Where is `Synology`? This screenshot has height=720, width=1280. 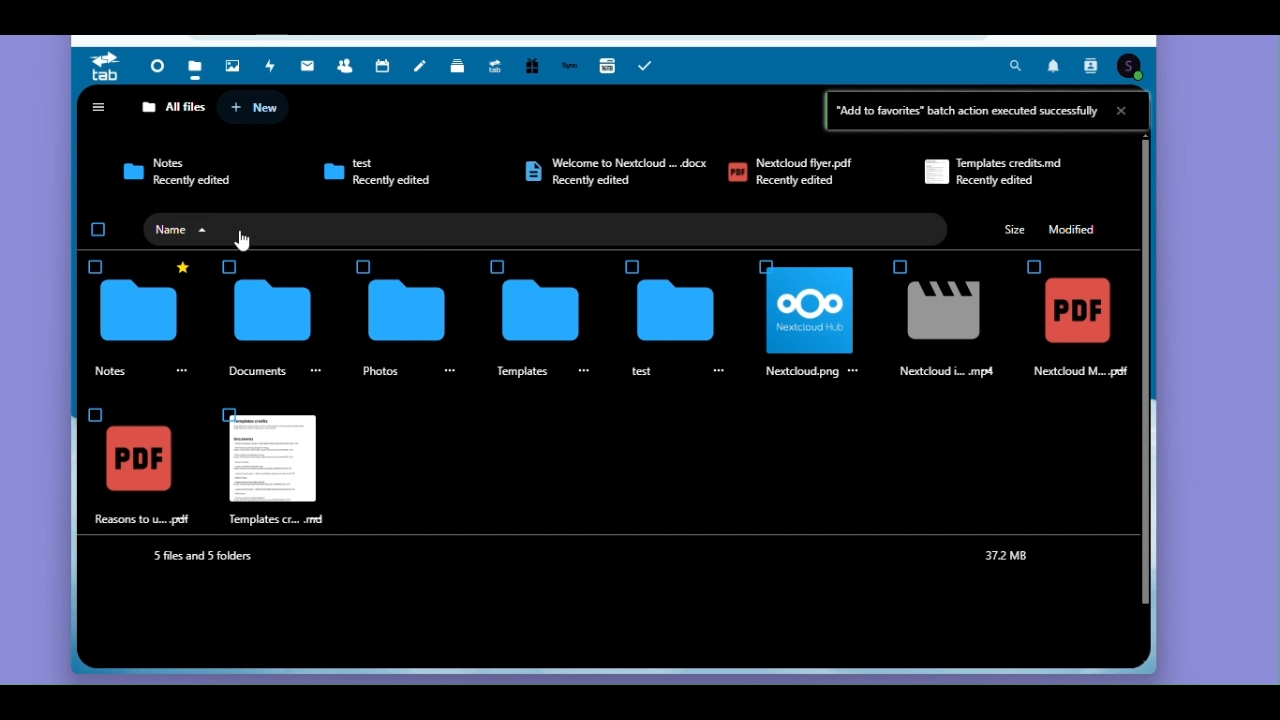
Synology is located at coordinates (566, 65).